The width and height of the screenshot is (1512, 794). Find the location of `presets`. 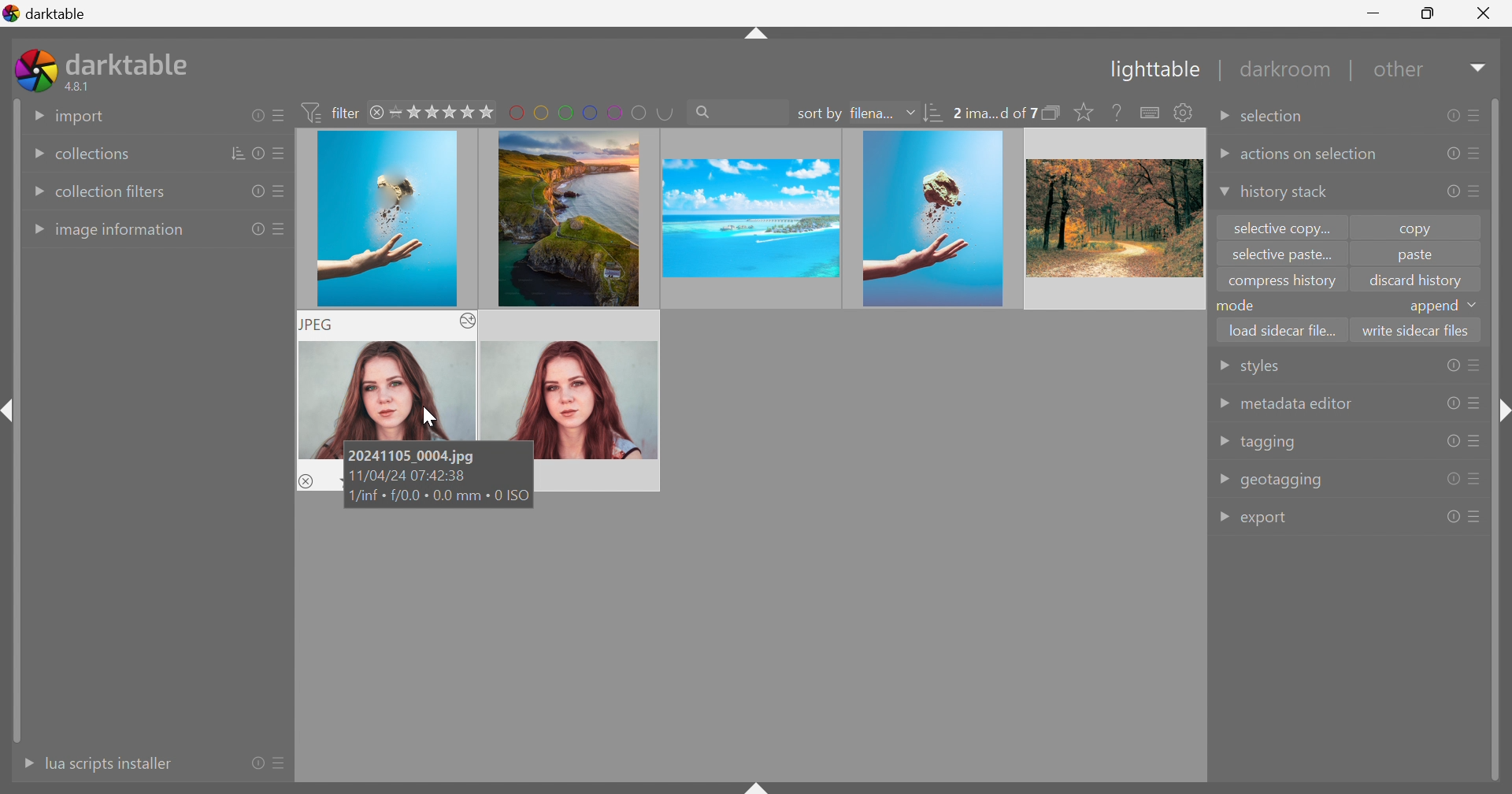

presets is located at coordinates (276, 194).